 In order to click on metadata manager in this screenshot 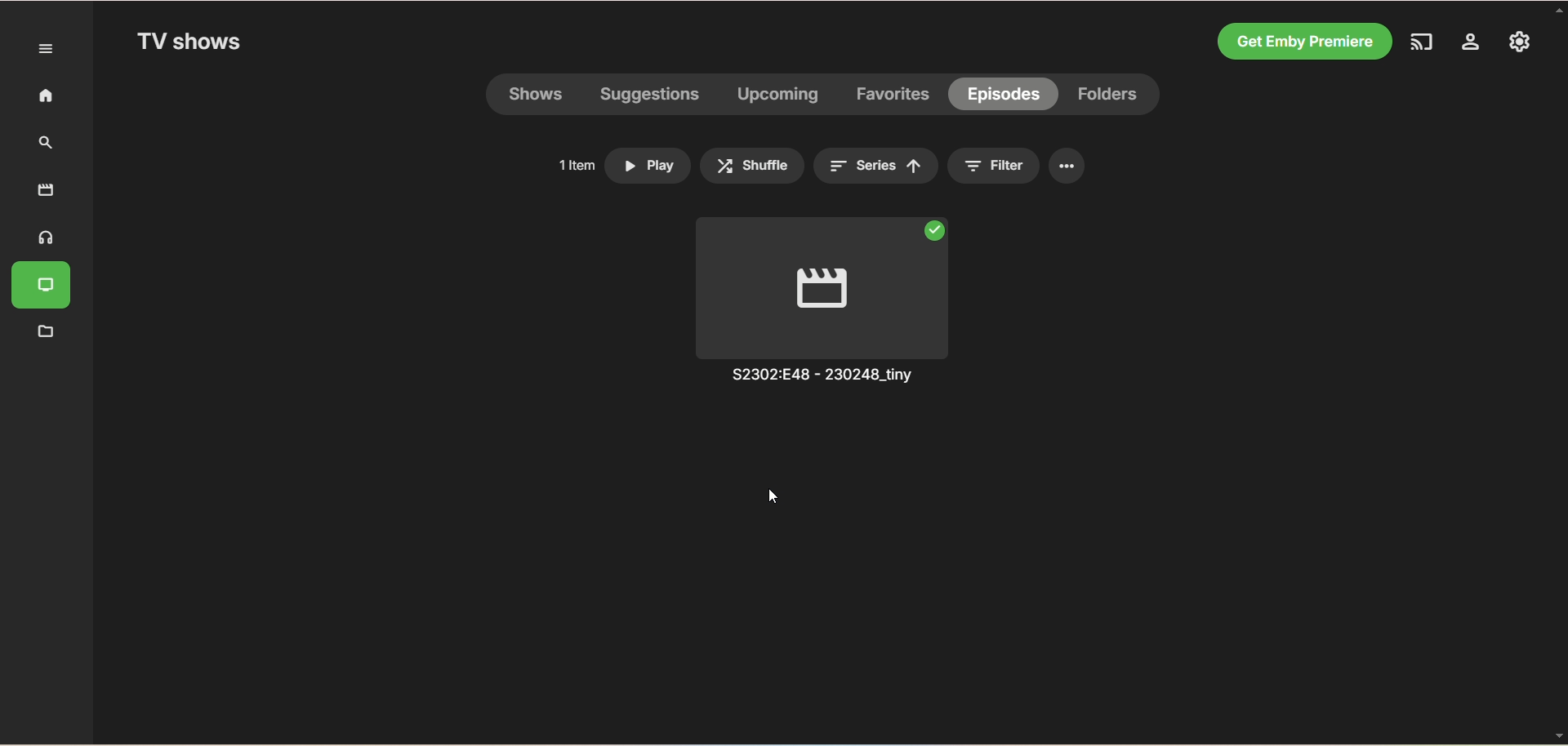, I will do `click(43, 332)`.